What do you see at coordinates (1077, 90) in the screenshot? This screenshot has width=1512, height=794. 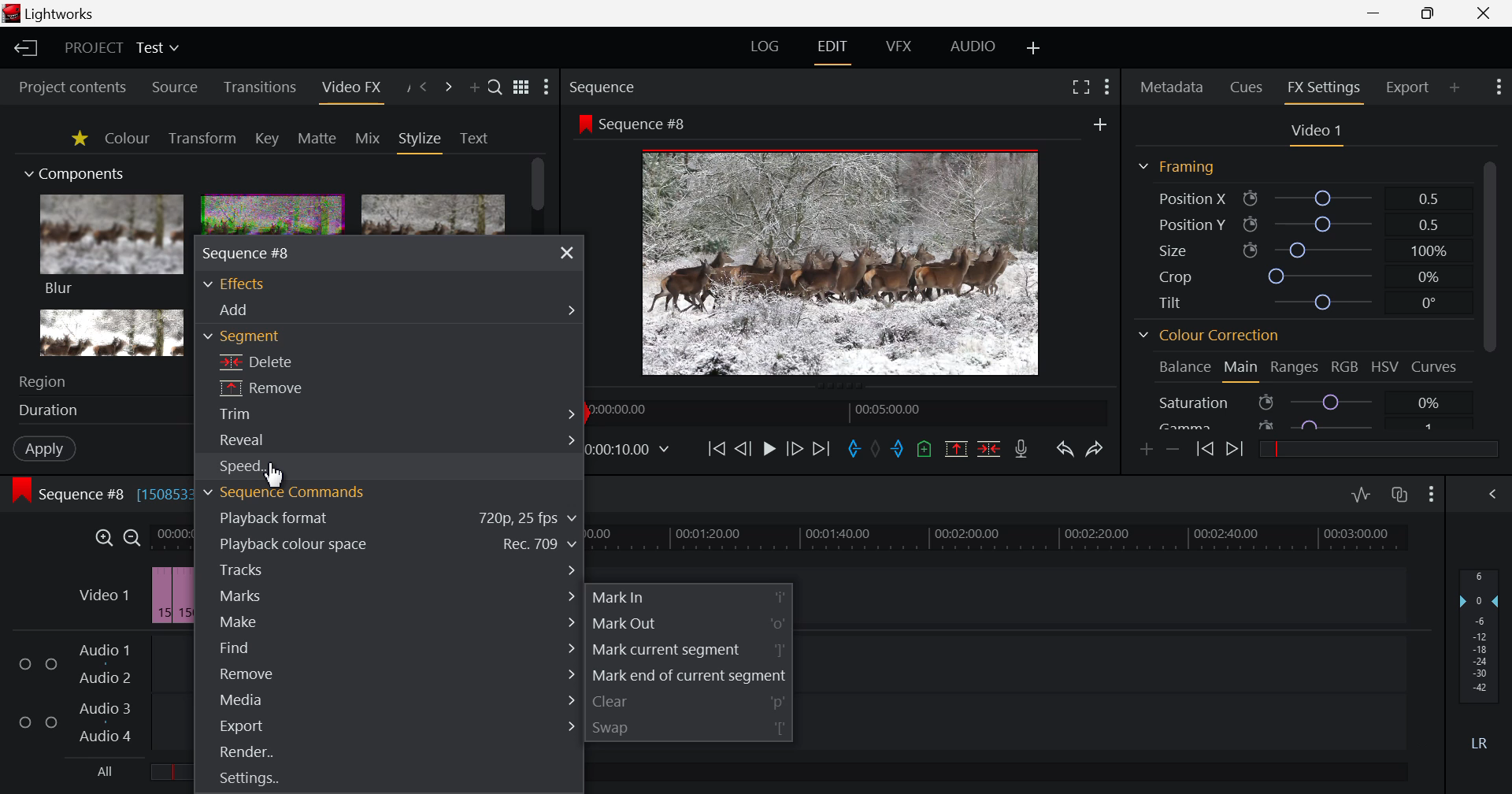 I see `Full Screen` at bounding box center [1077, 90].